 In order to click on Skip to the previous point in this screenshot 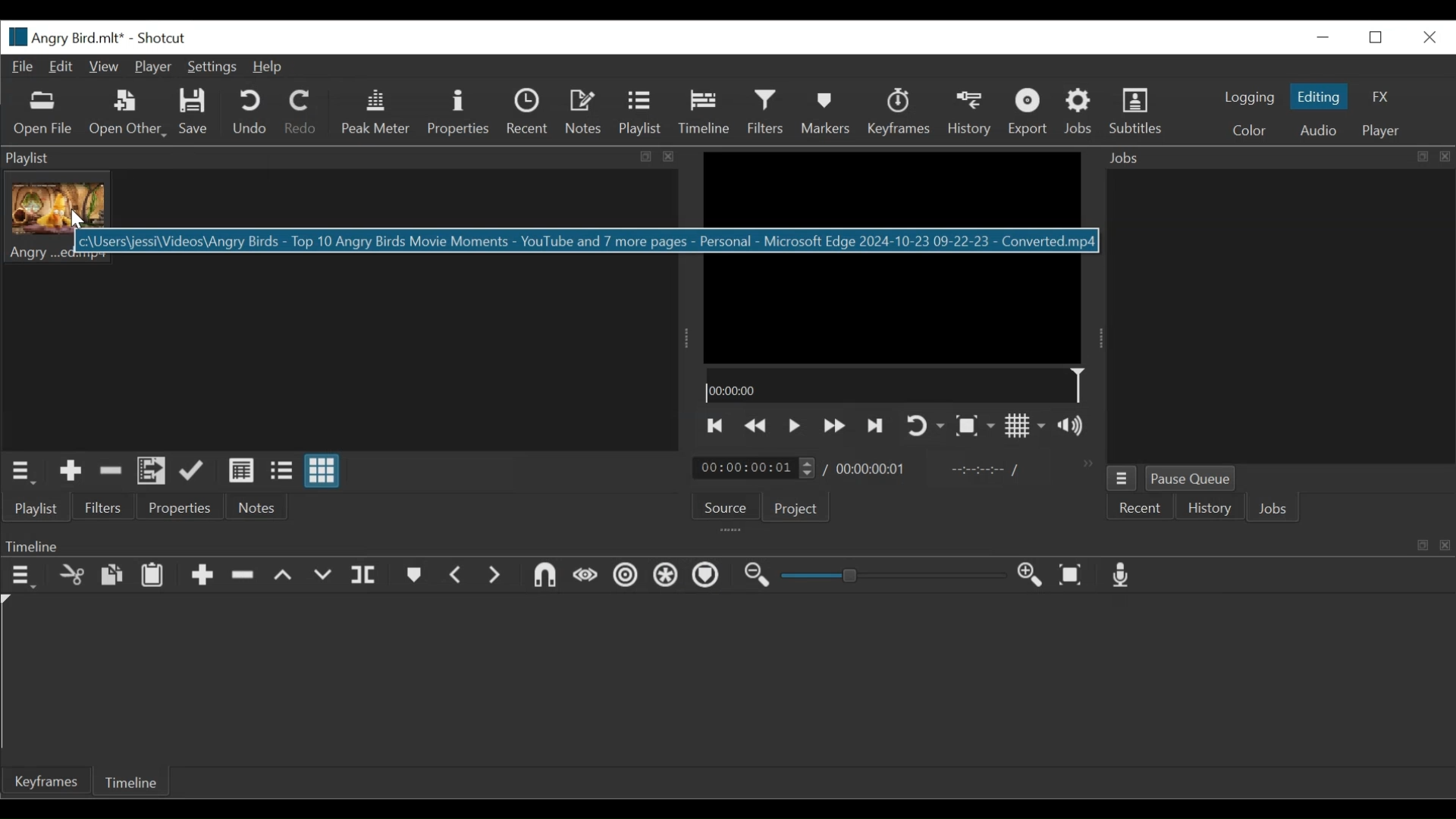, I will do `click(716, 425)`.